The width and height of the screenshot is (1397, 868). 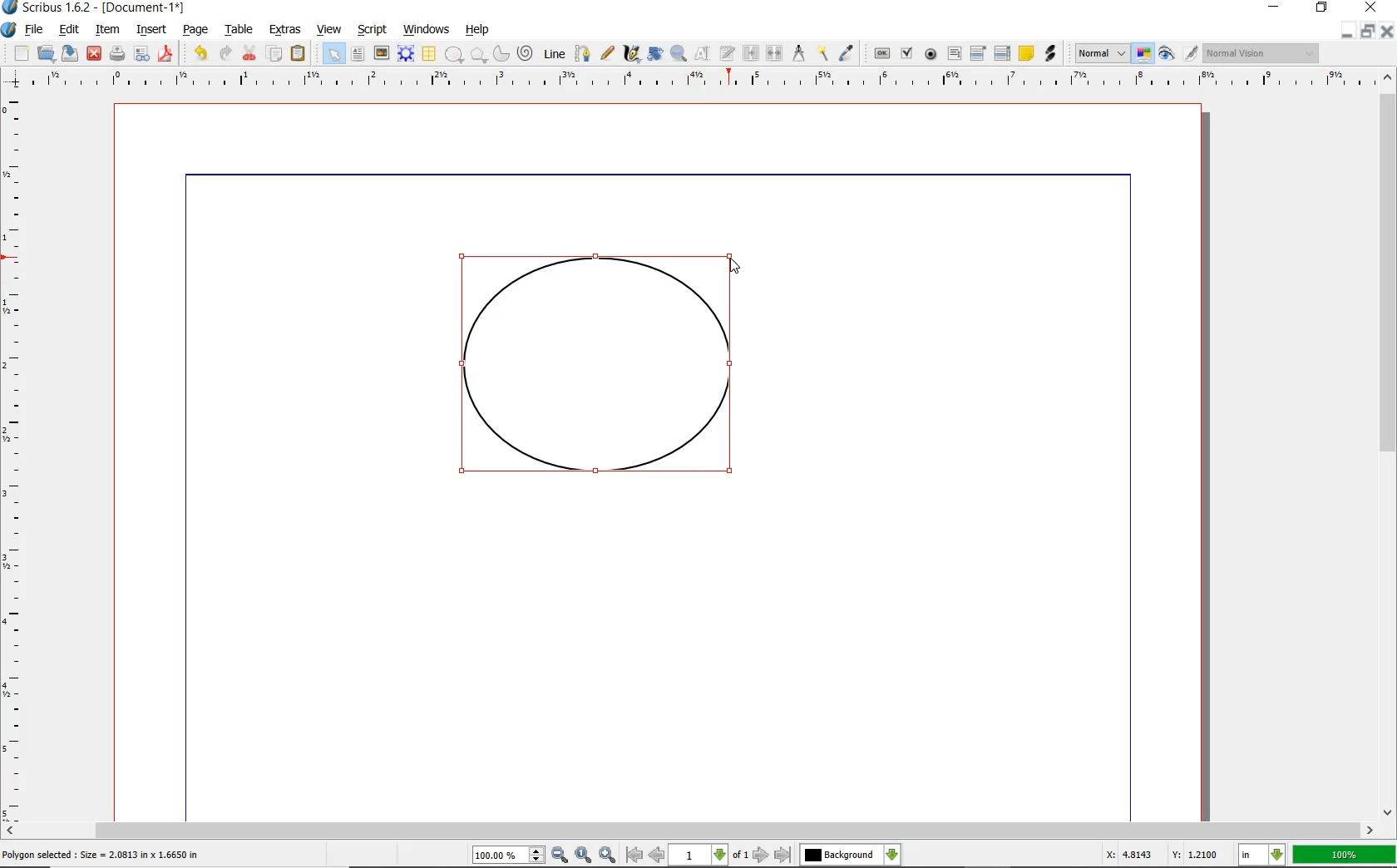 What do you see at coordinates (68, 31) in the screenshot?
I see `EDIT` at bounding box center [68, 31].